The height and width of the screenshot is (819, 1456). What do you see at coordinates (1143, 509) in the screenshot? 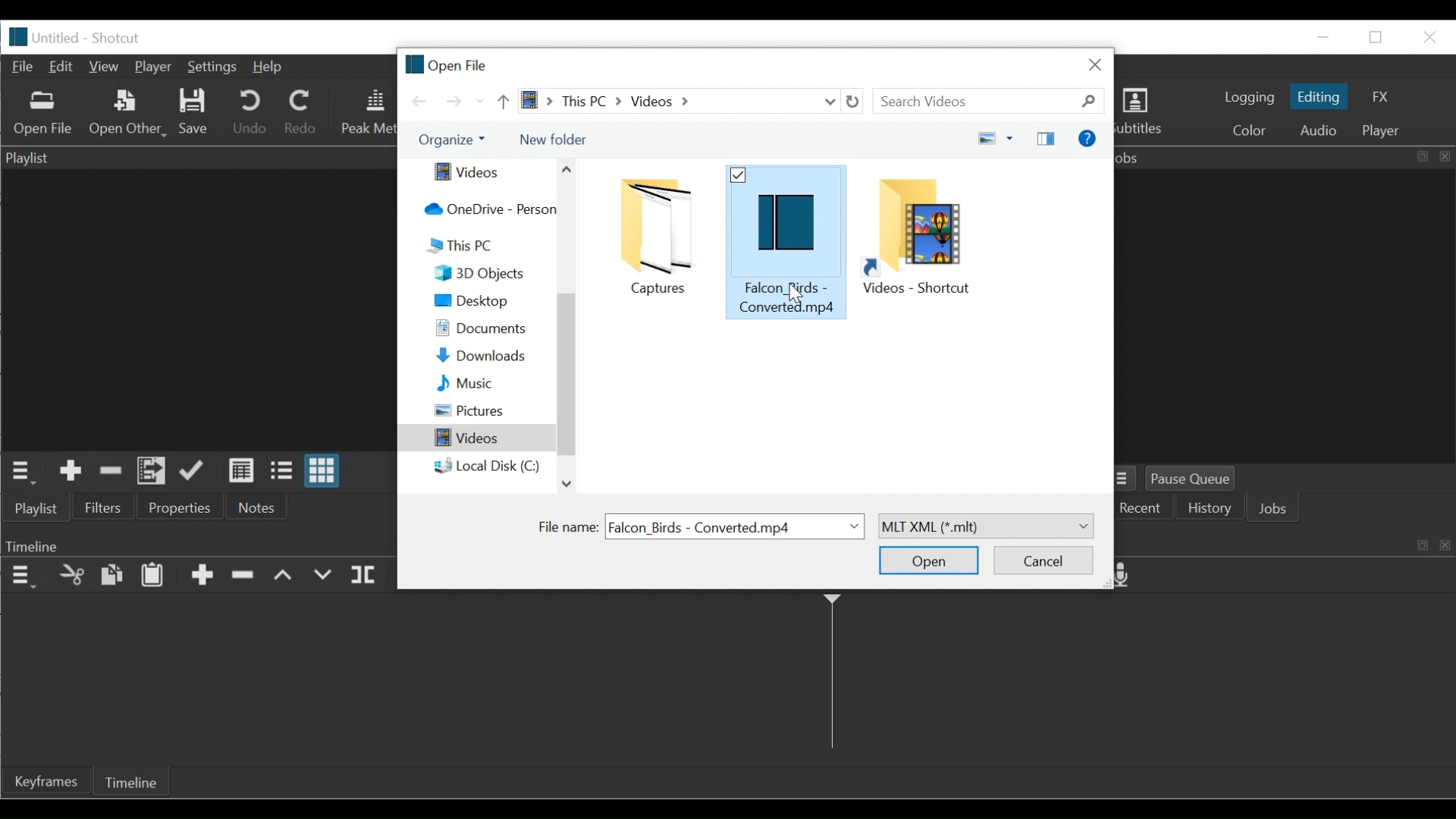
I see `Recent` at bounding box center [1143, 509].